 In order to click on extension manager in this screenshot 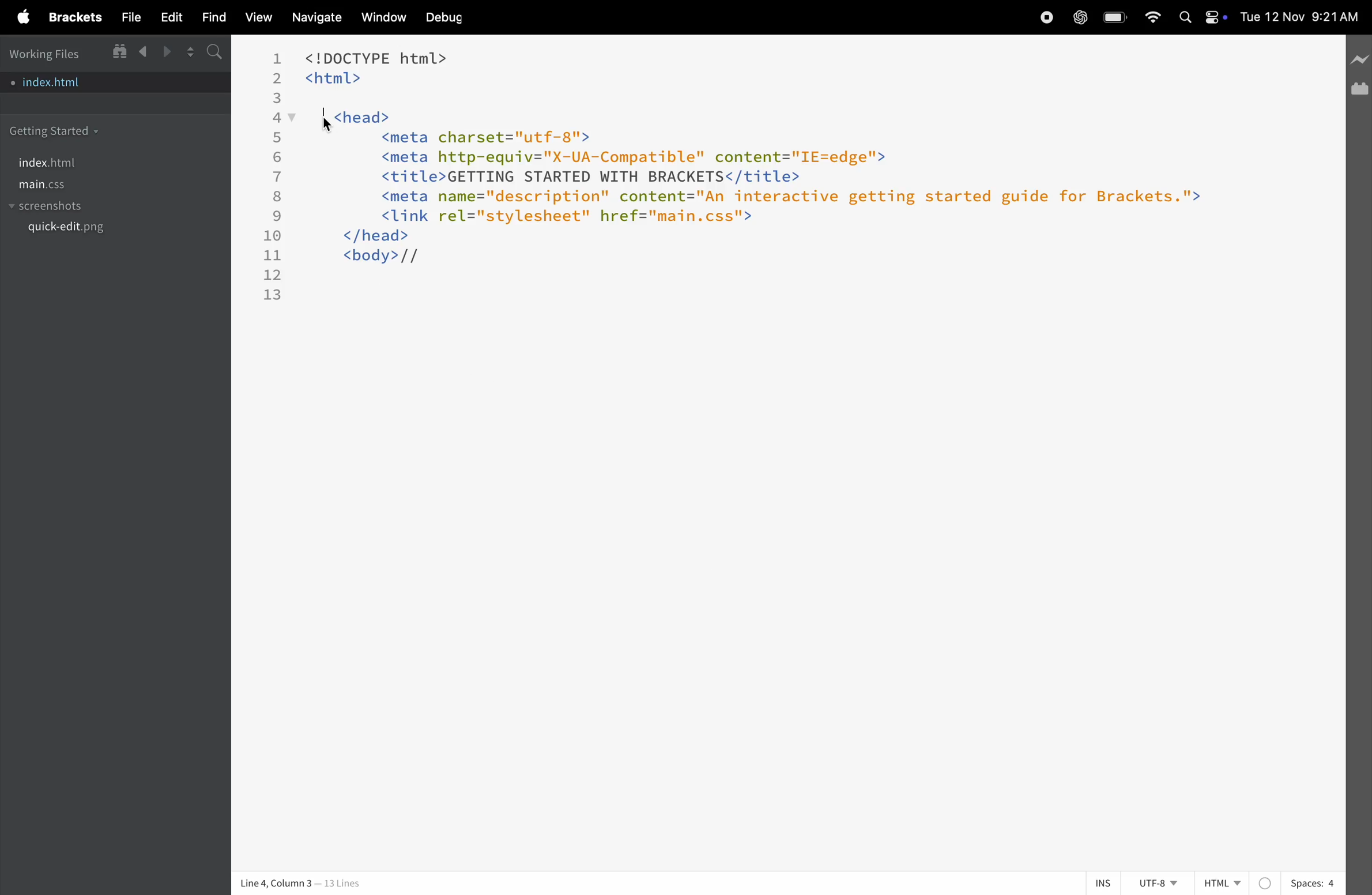, I will do `click(1359, 90)`.